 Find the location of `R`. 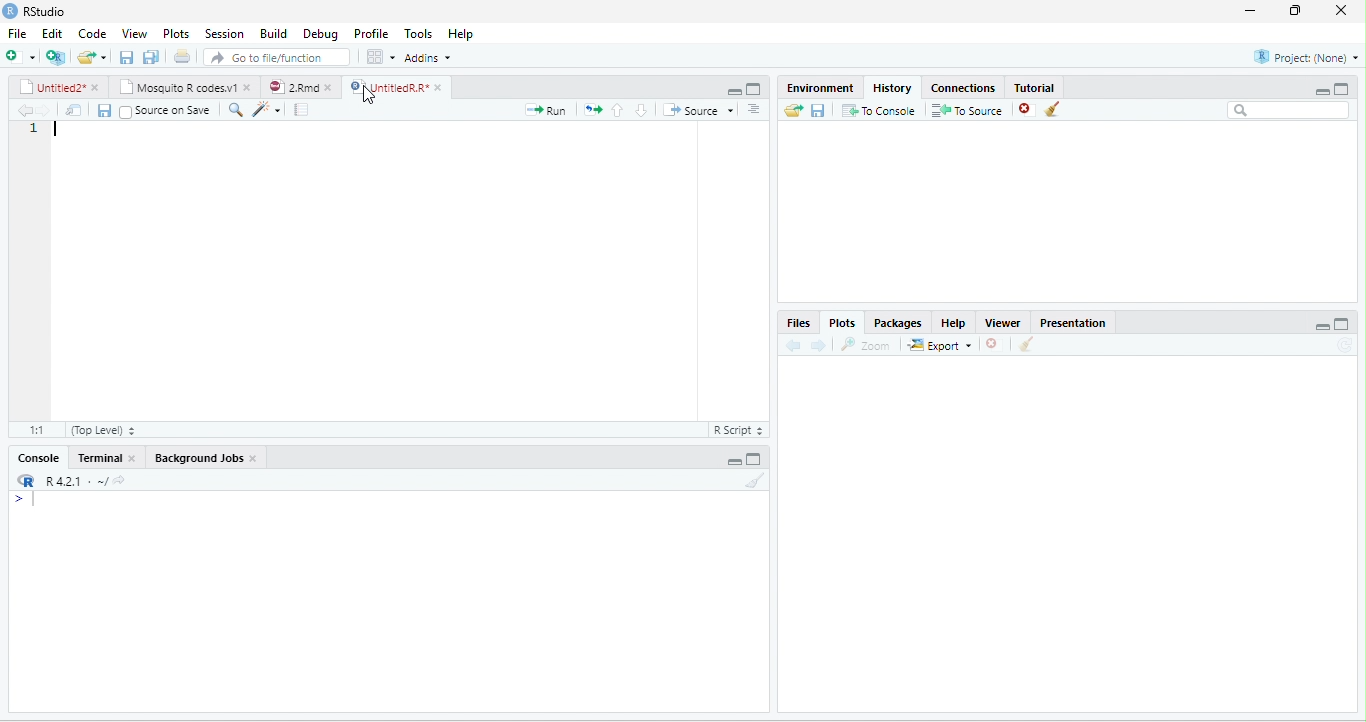

R is located at coordinates (72, 481).